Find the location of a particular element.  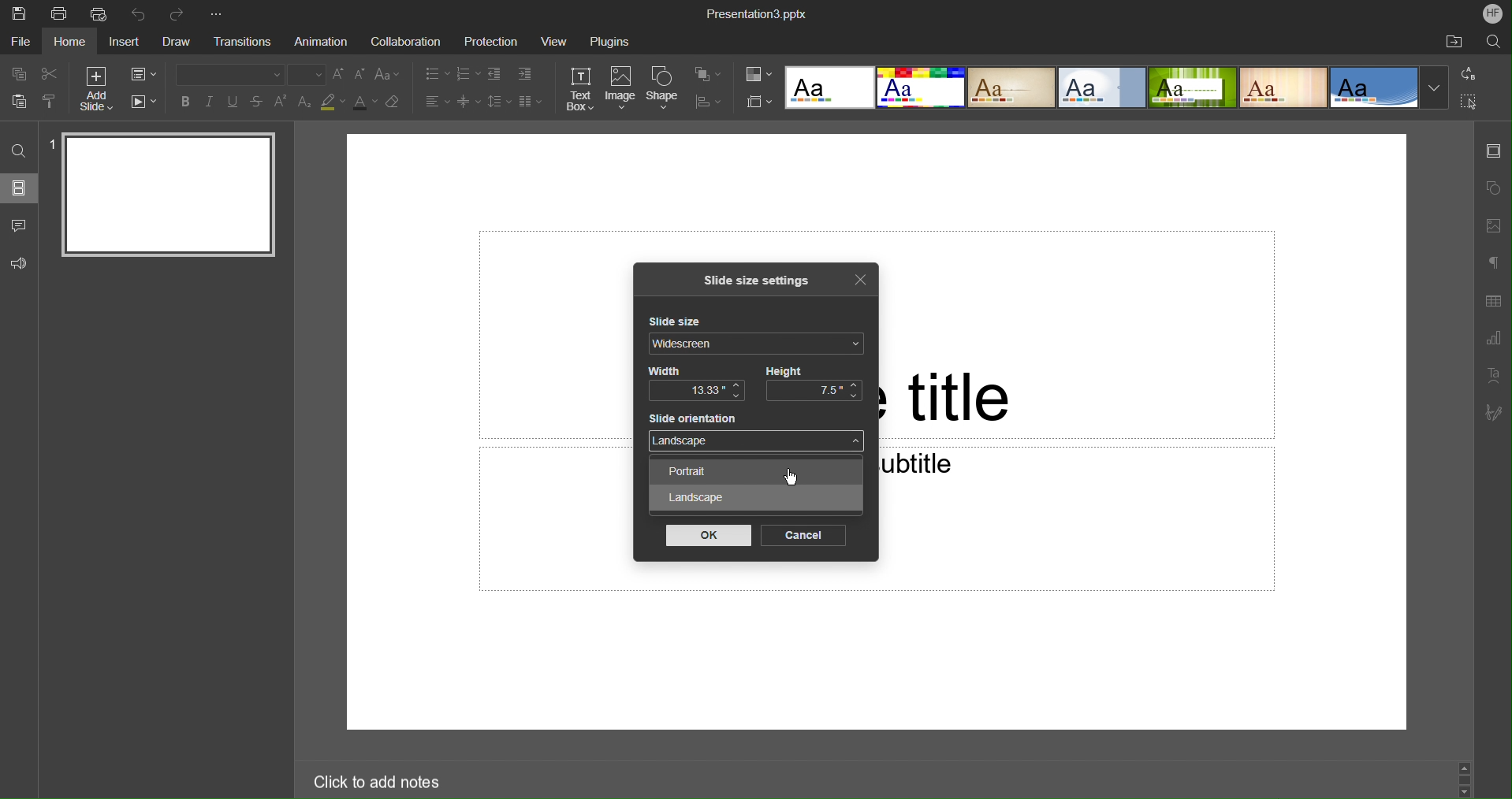

Slide Templates is located at coordinates (1115, 88).